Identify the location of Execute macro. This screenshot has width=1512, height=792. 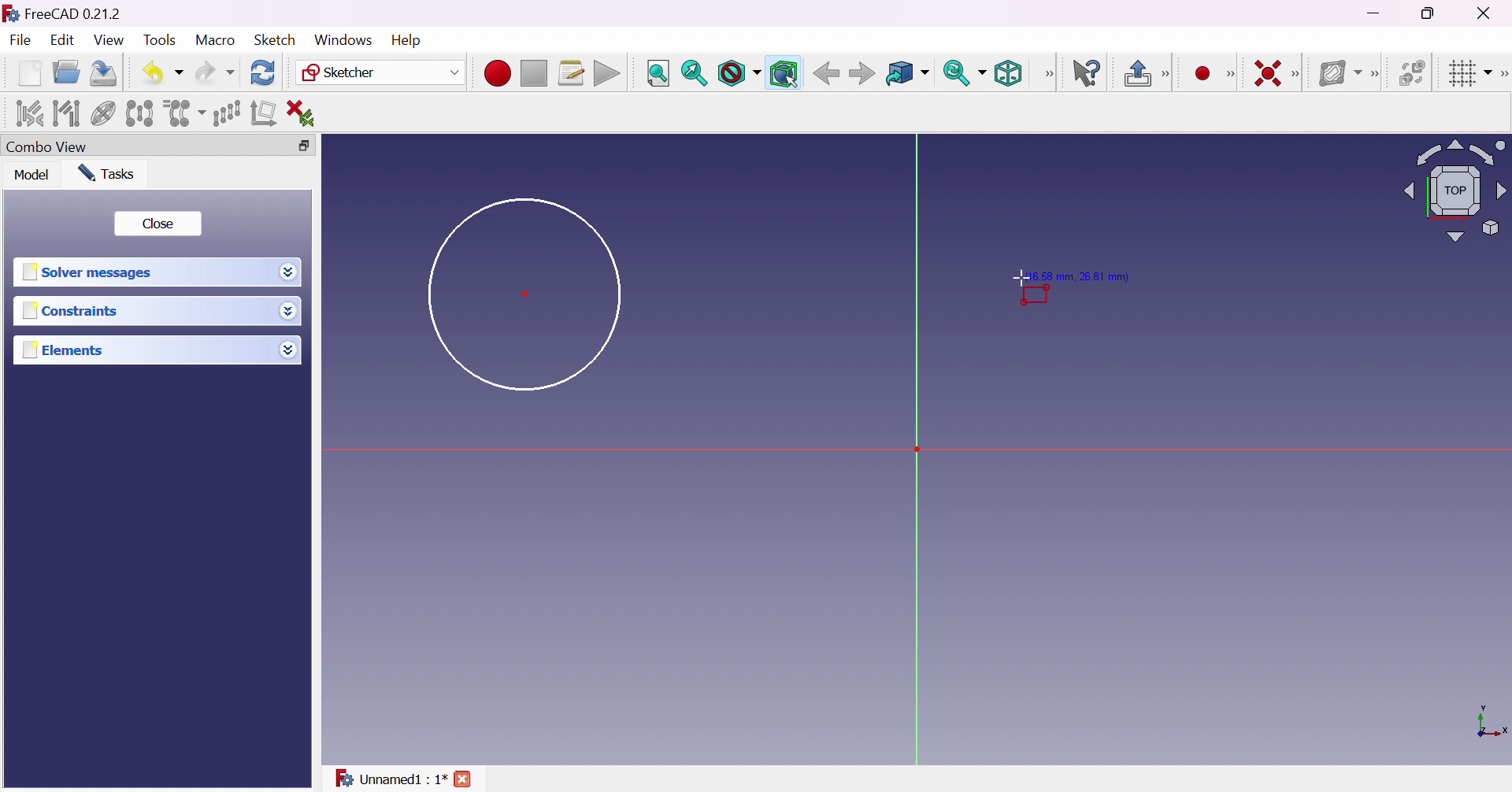
(607, 76).